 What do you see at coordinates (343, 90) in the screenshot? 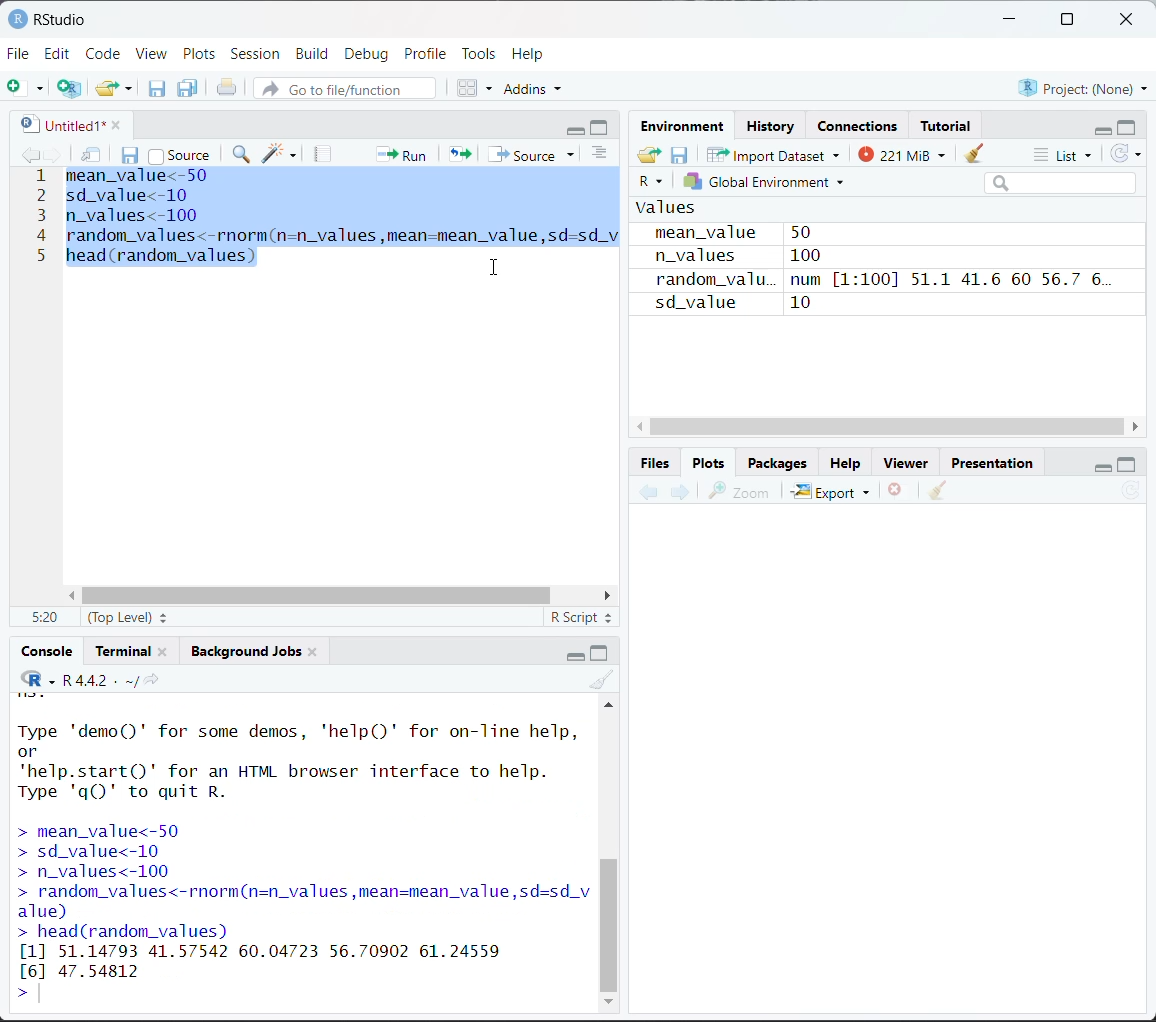
I see `go to file/function` at bounding box center [343, 90].